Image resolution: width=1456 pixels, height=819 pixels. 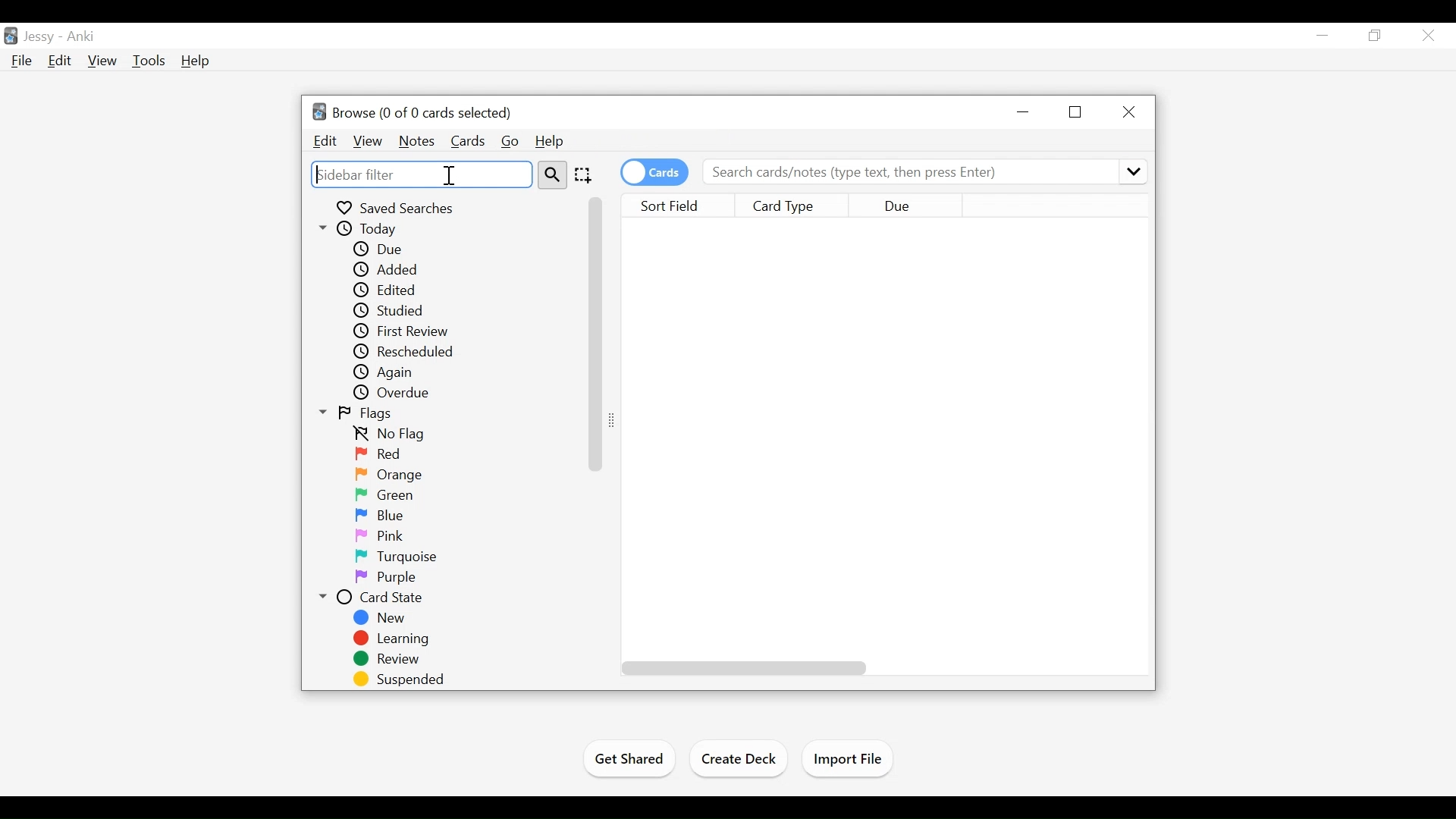 What do you see at coordinates (422, 174) in the screenshot?
I see `Sidebar Filter` at bounding box center [422, 174].